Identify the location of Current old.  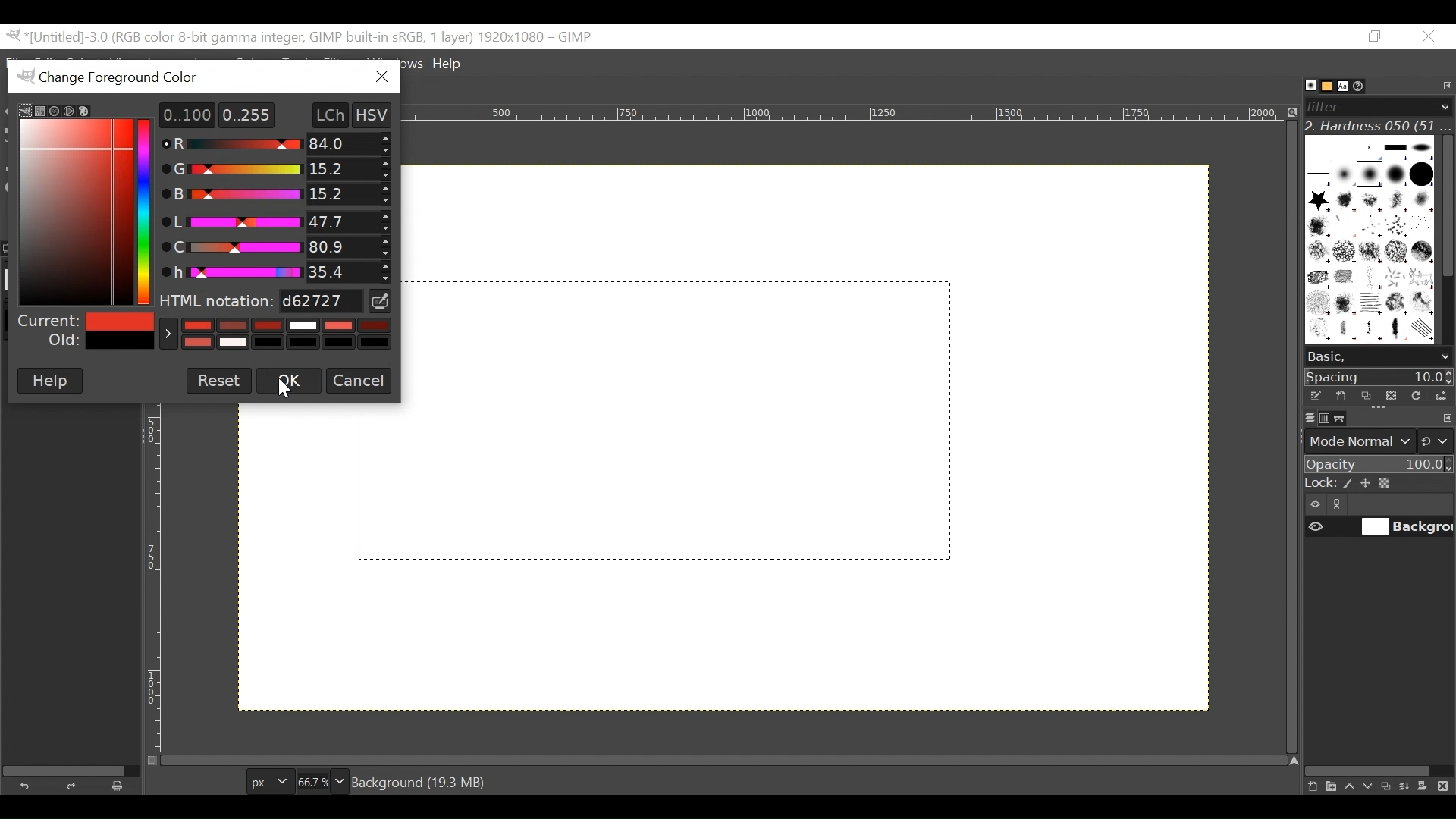
(84, 331).